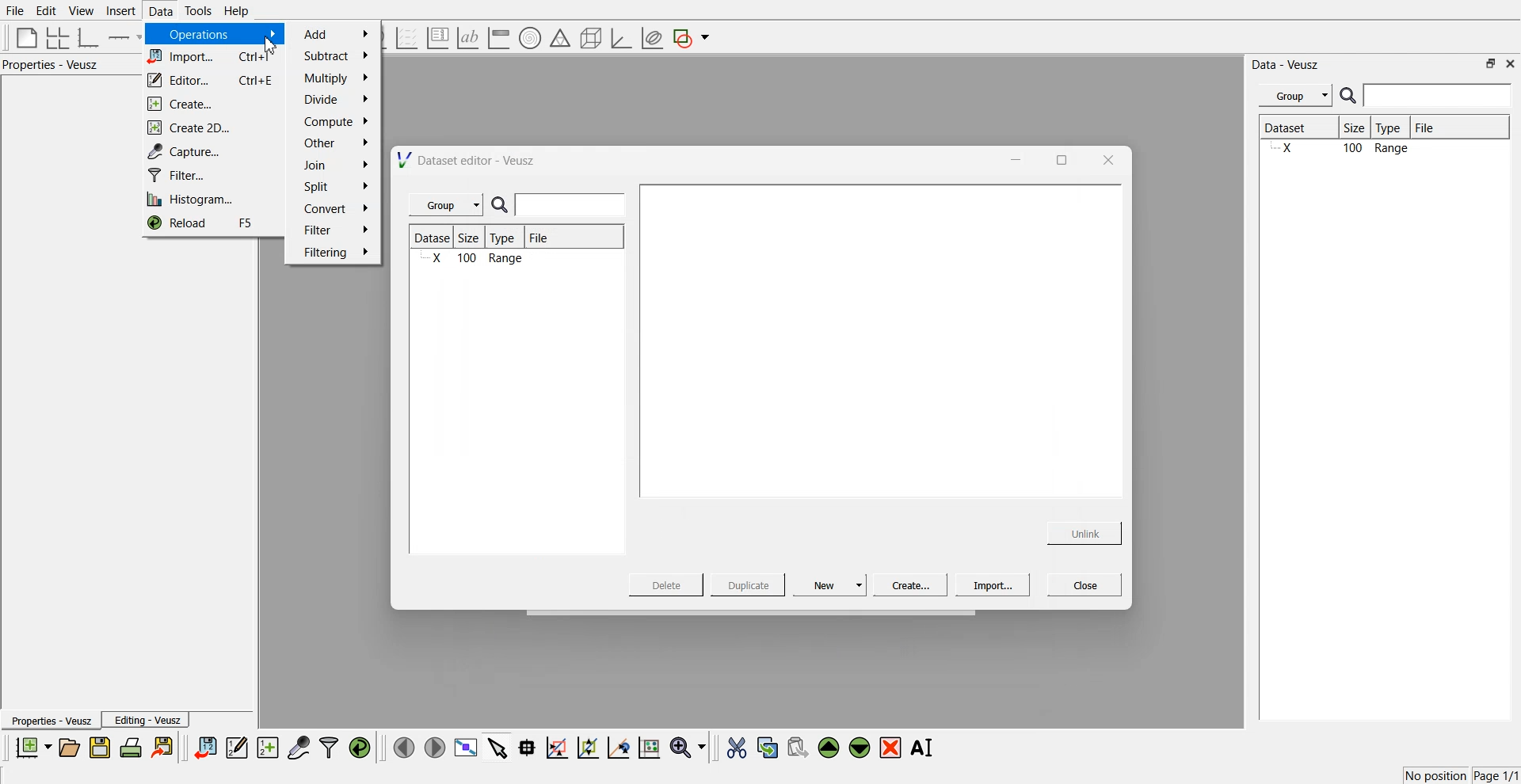 The height and width of the screenshot is (784, 1521). I want to click on Multiply, so click(335, 77).